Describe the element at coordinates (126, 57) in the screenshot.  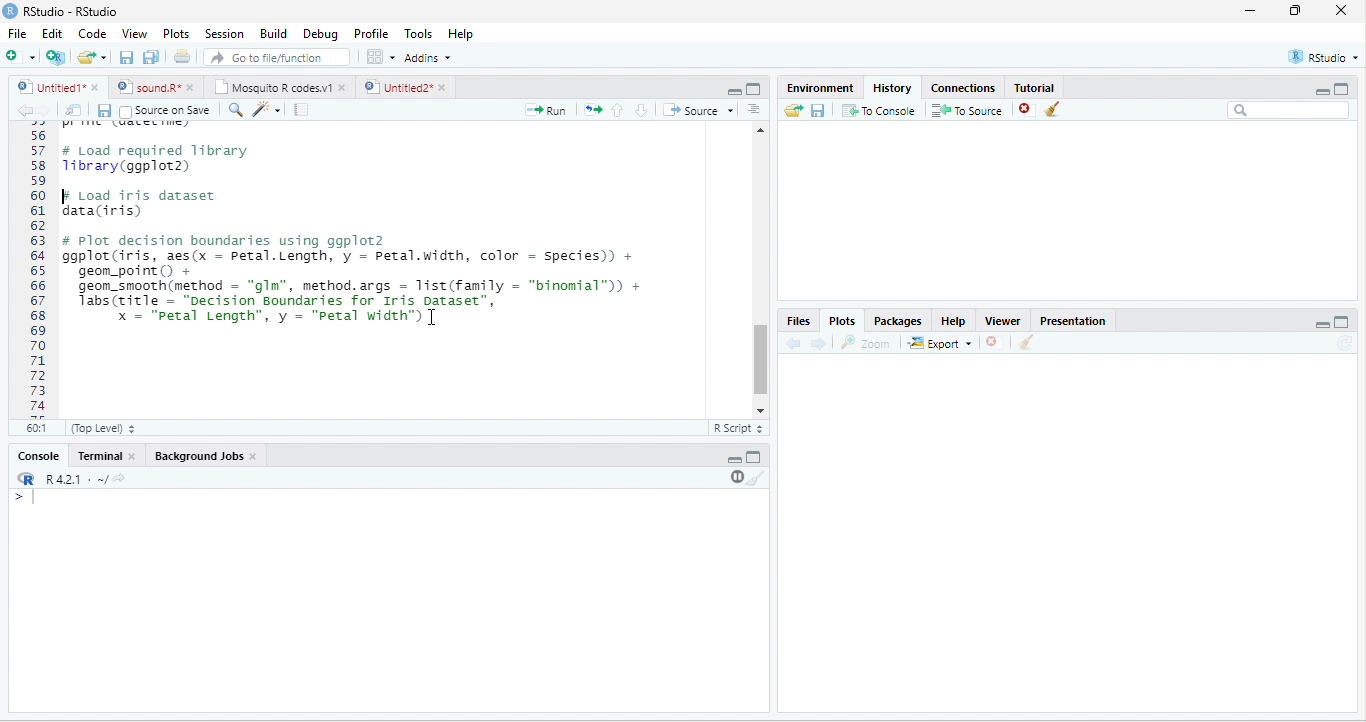
I see `save` at that location.